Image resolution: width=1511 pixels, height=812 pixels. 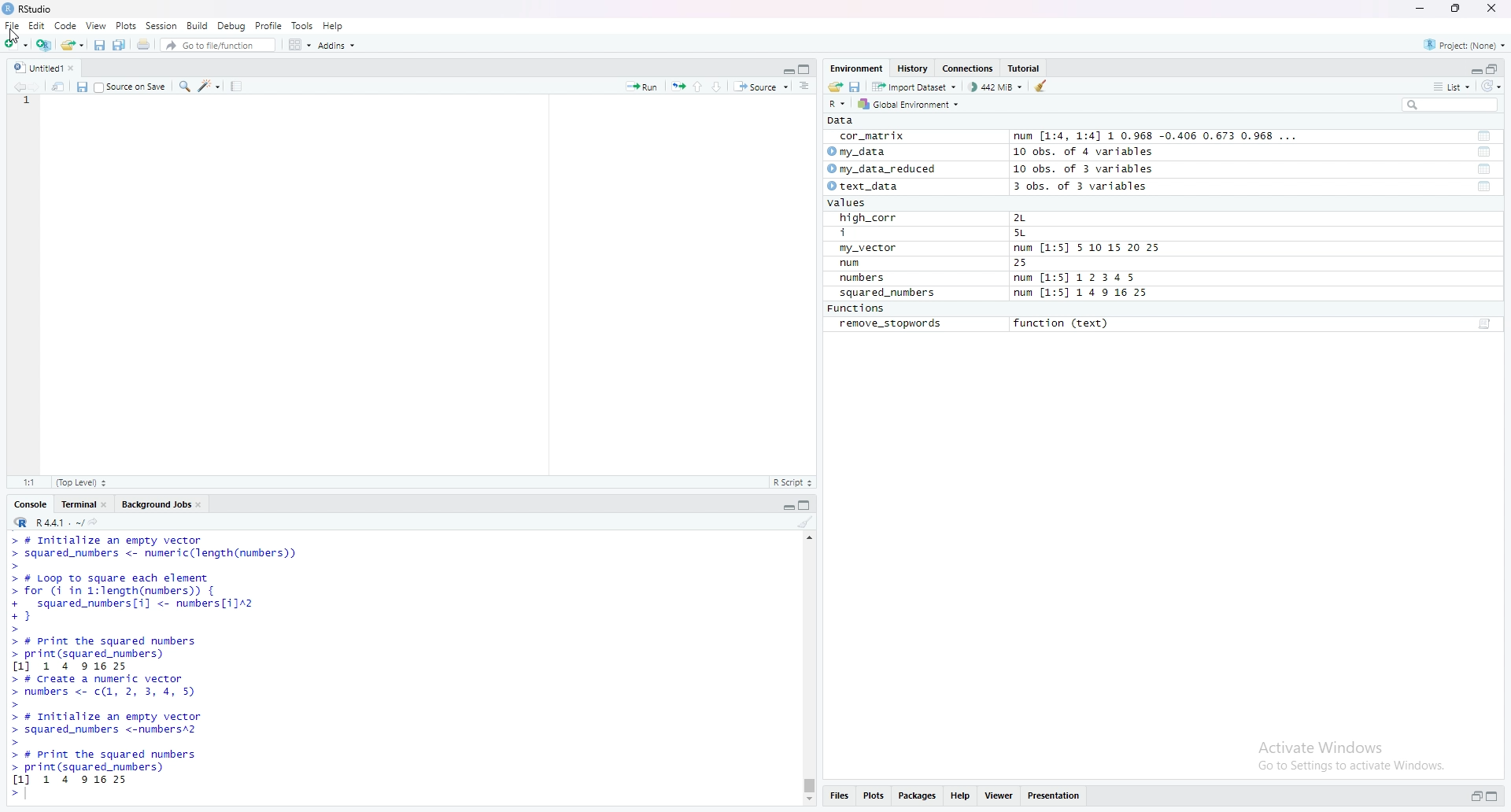 I want to click on Tools, so click(x=301, y=25).